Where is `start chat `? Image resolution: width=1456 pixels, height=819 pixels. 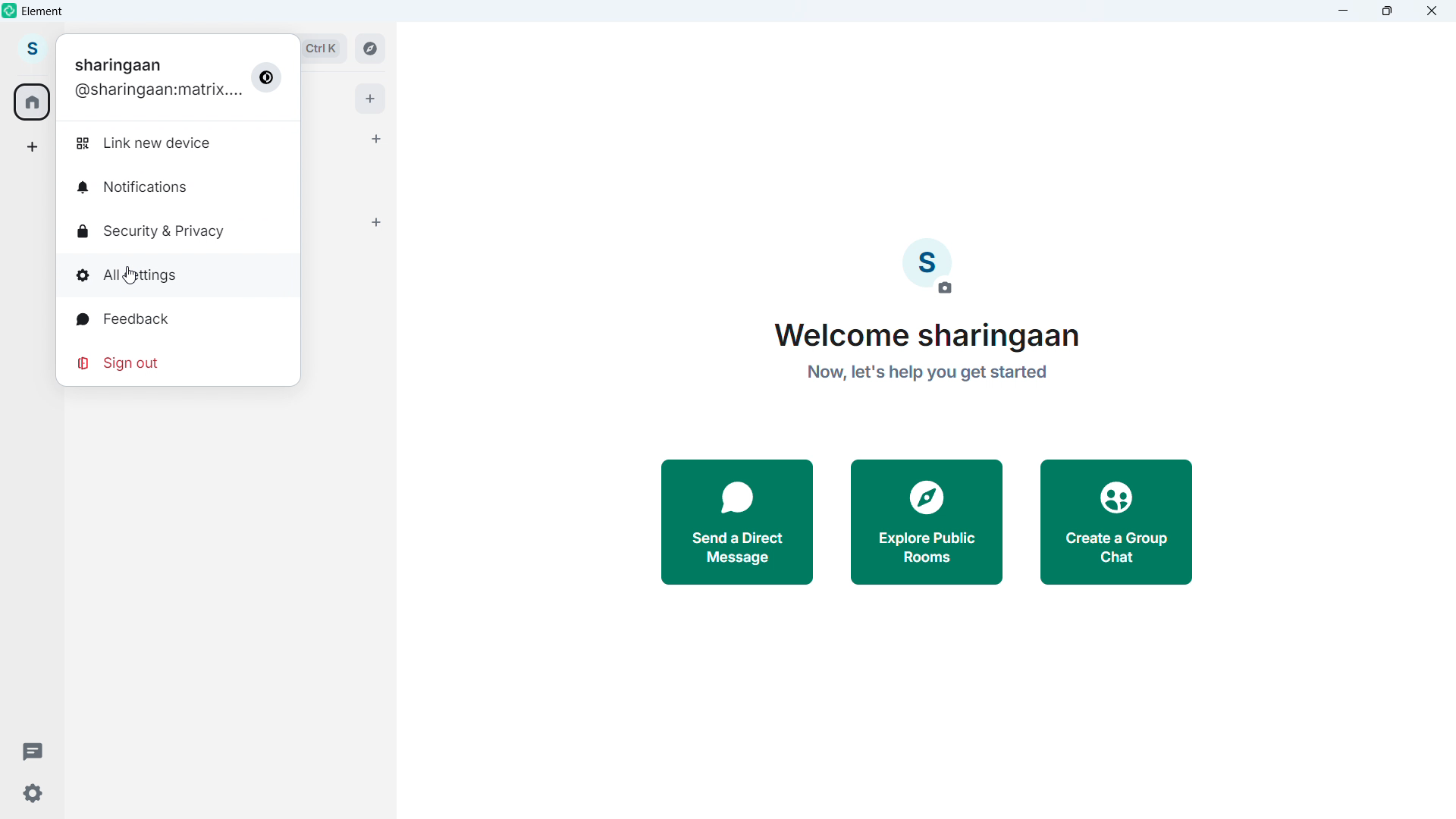
start chat  is located at coordinates (377, 138).